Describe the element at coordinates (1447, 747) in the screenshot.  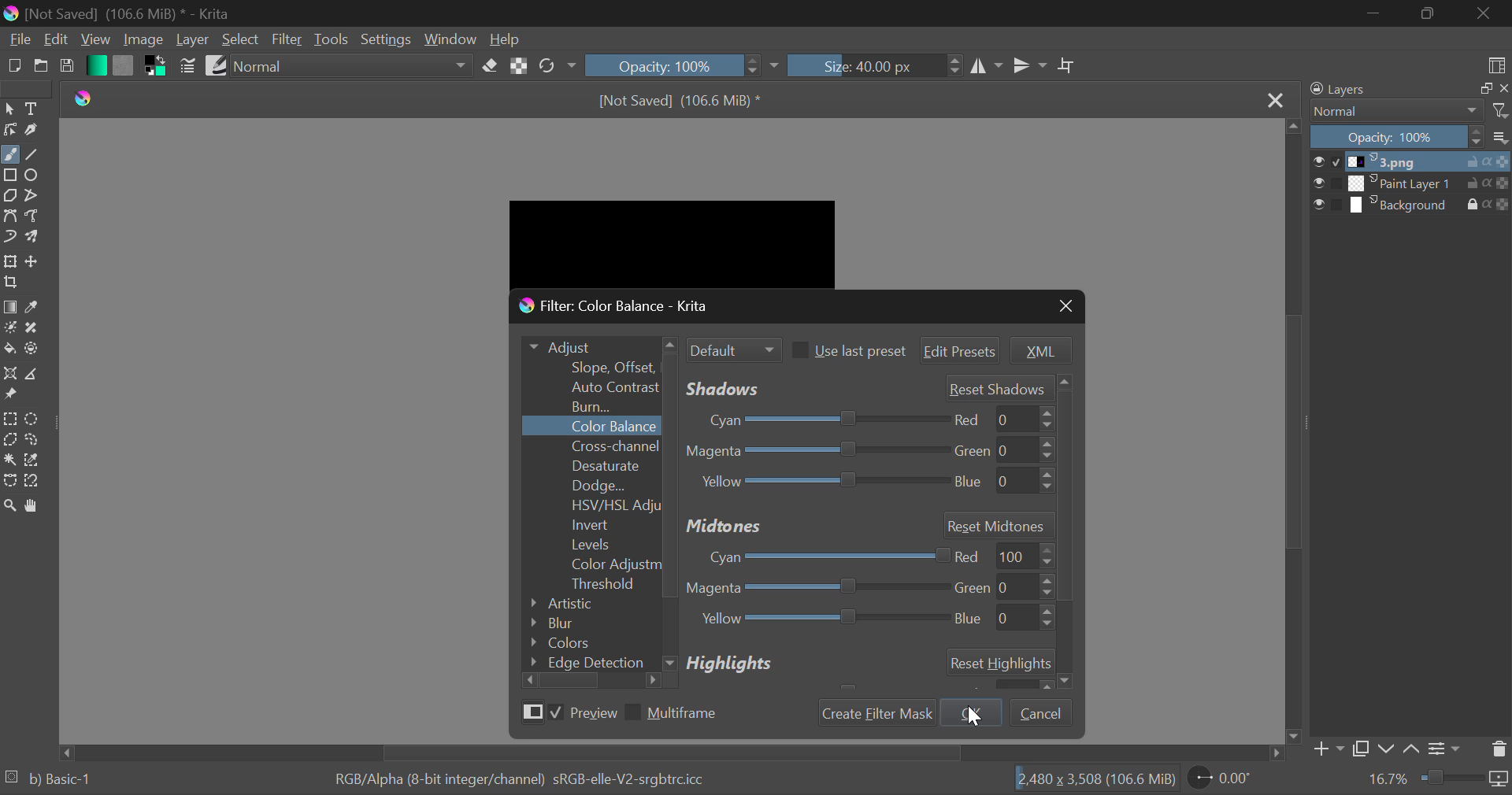
I see `Settings` at that location.